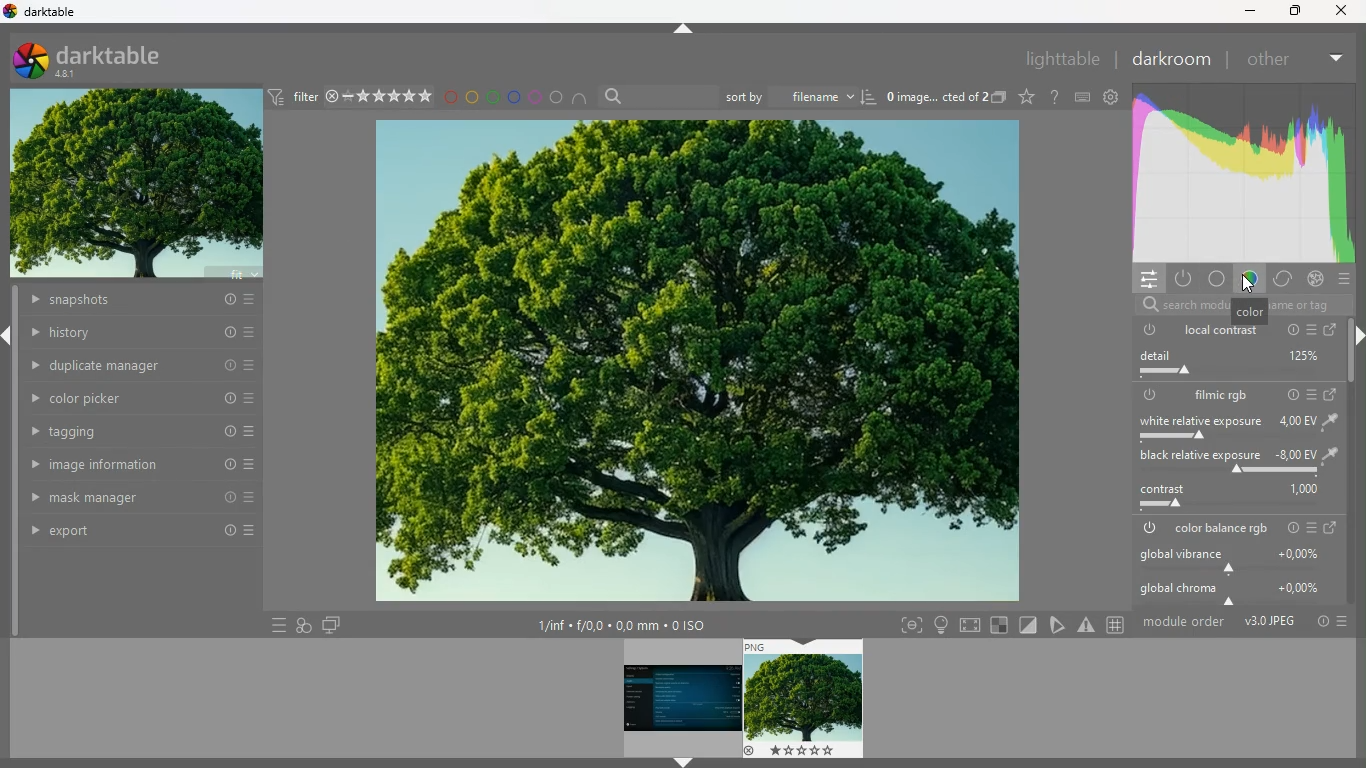  I want to click on menu, so click(274, 625).